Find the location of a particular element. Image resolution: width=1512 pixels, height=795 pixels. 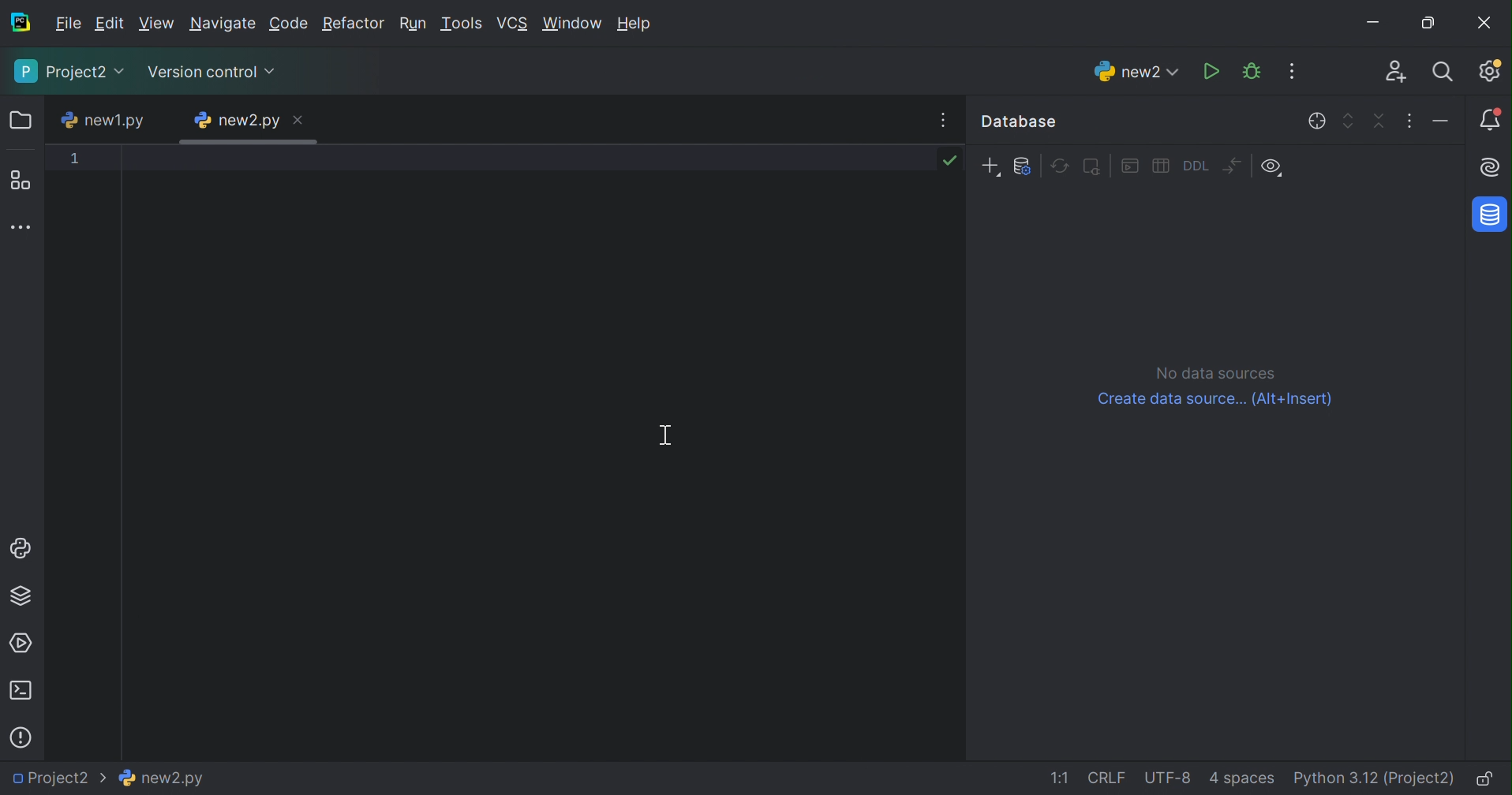

New is located at coordinates (990, 166).